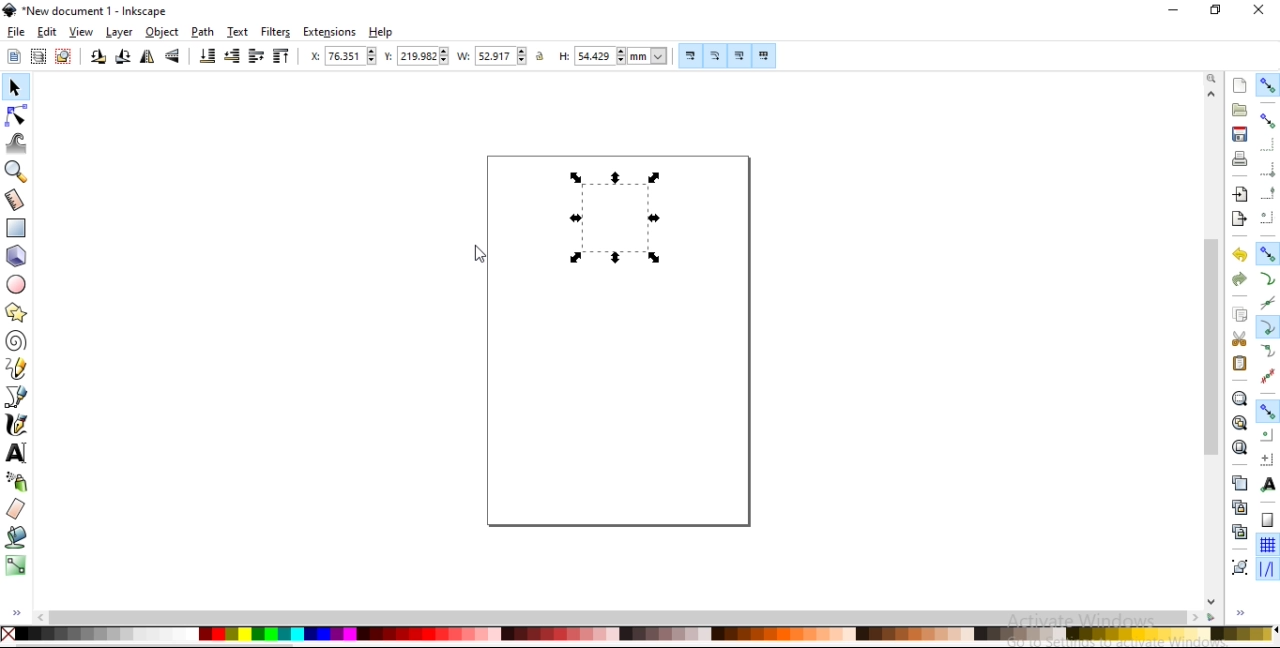 The width and height of the screenshot is (1280, 648). I want to click on paste, so click(1240, 364).